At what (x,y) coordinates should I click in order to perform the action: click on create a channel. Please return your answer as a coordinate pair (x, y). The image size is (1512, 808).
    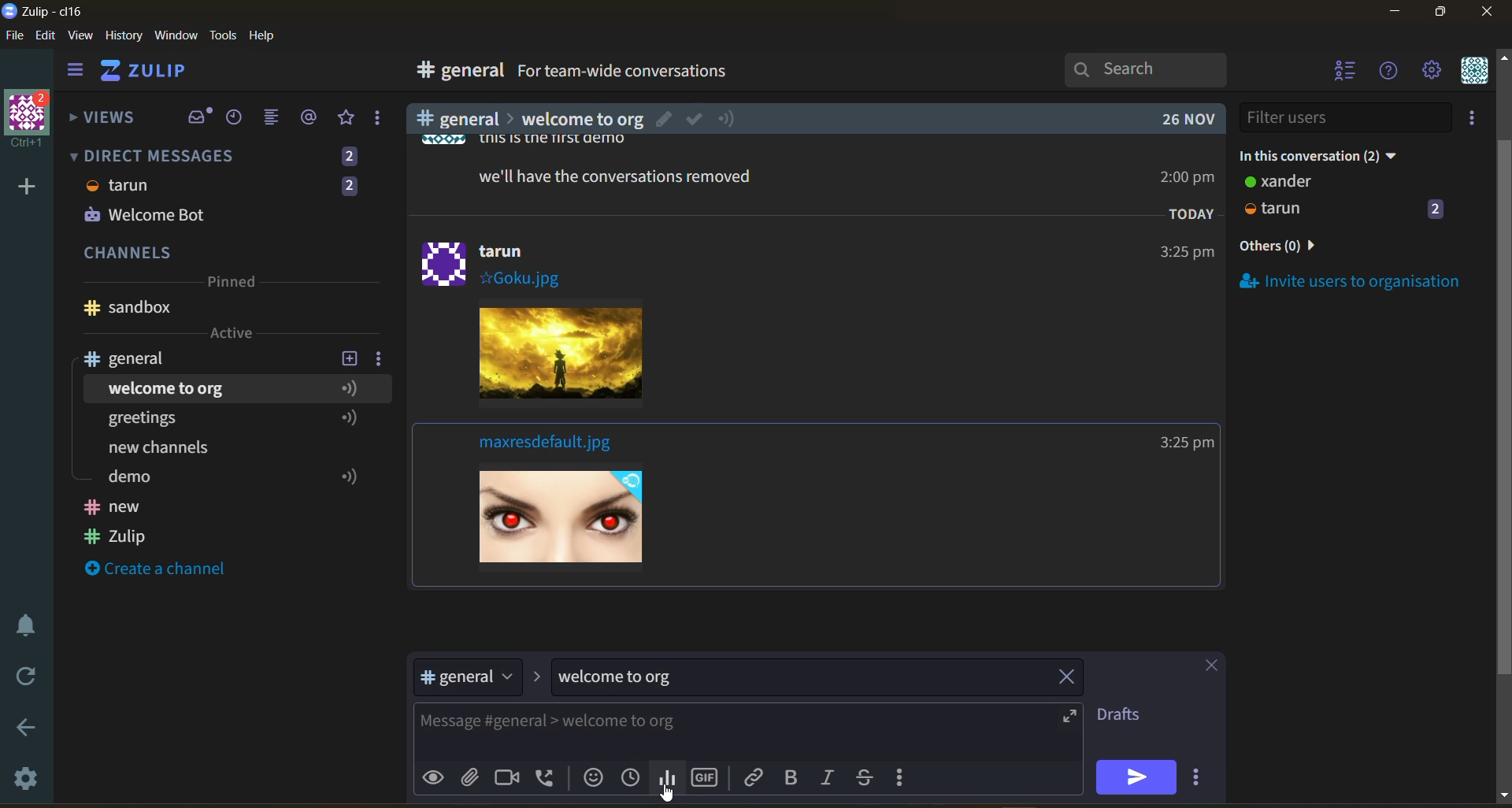
    Looking at the image, I should click on (165, 570).